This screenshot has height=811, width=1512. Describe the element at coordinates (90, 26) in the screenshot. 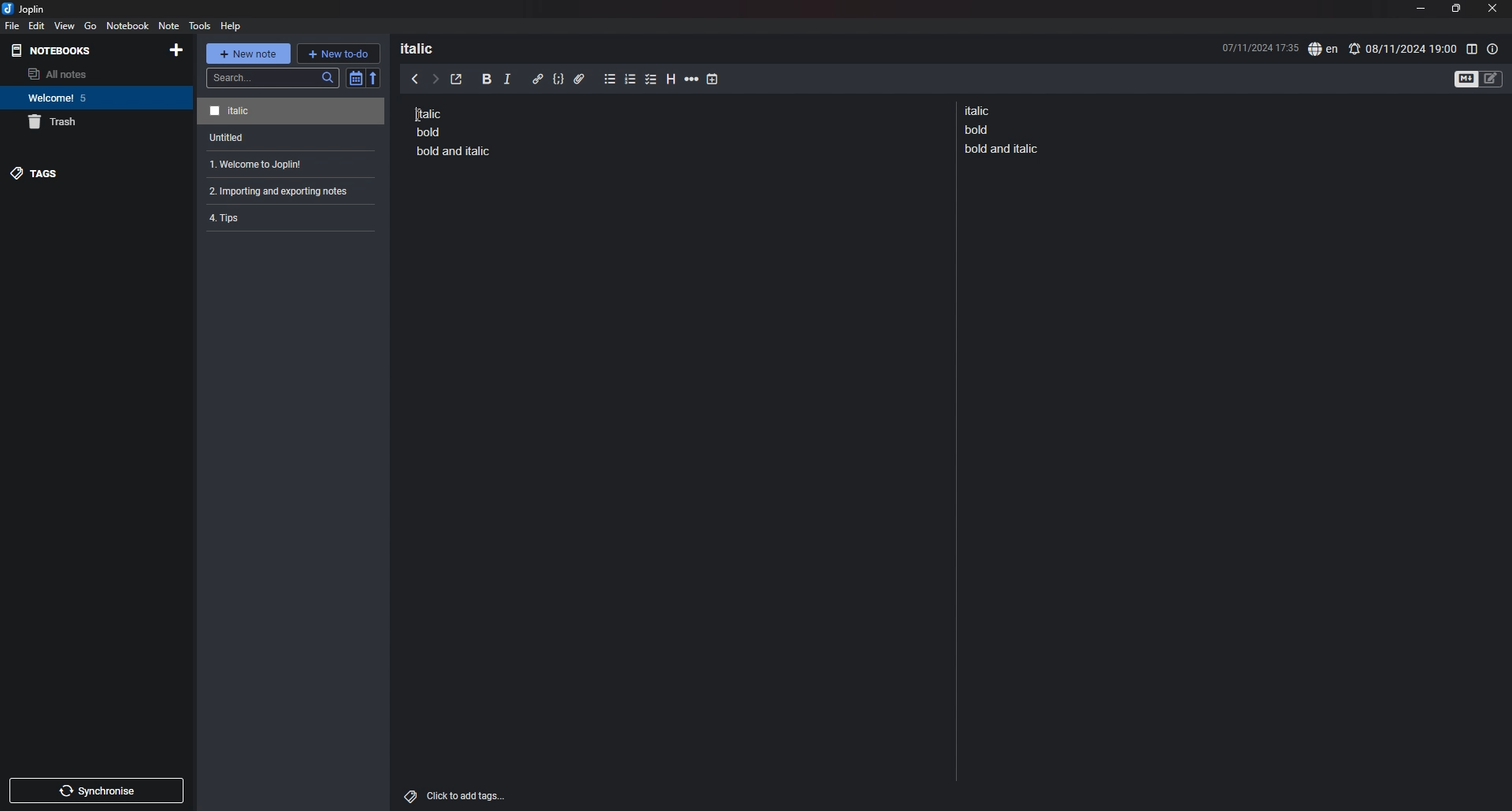

I see `go` at that location.